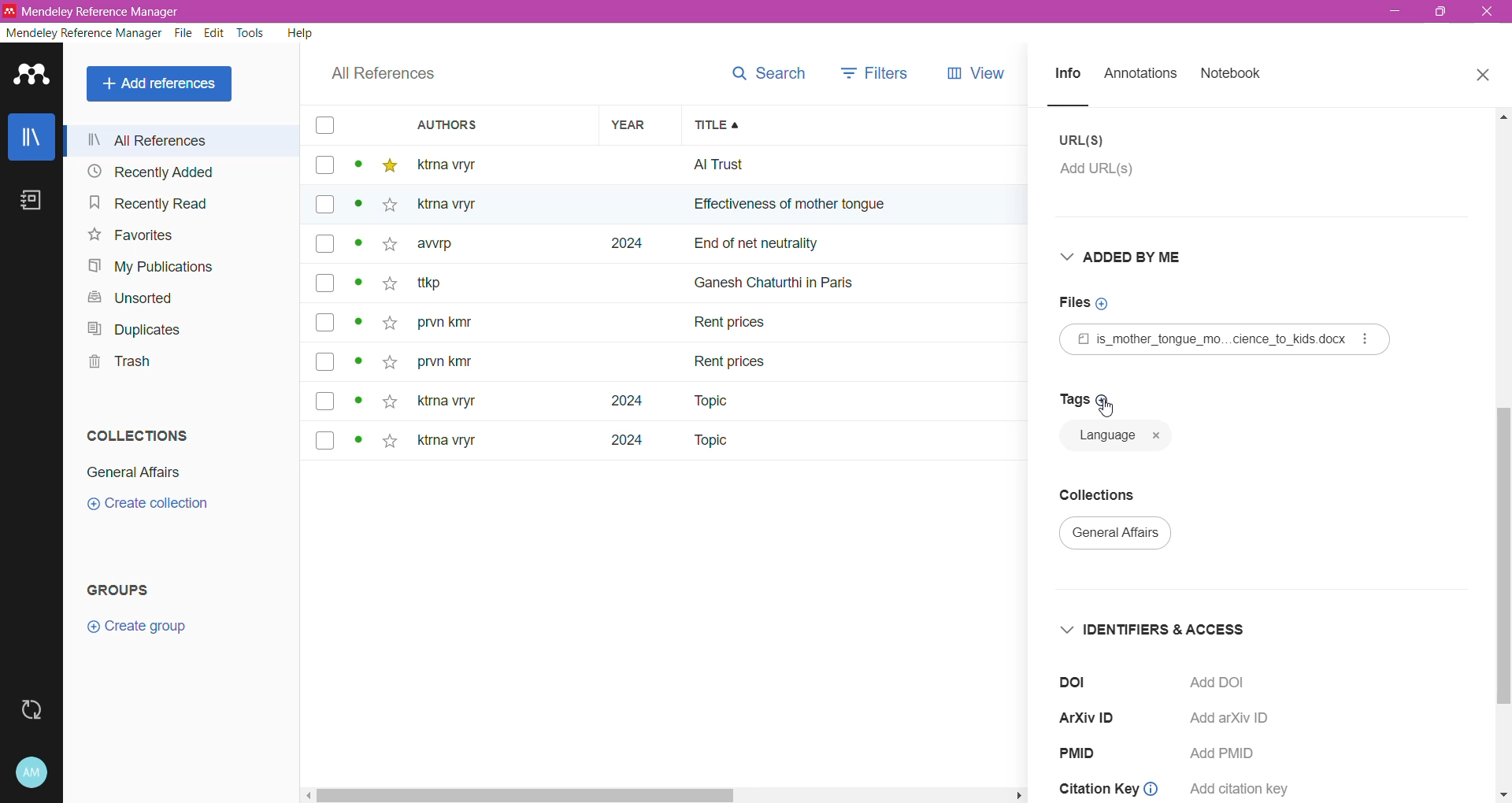 The height and width of the screenshot is (803, 1512). I want to click on All References, so click(183, 140).